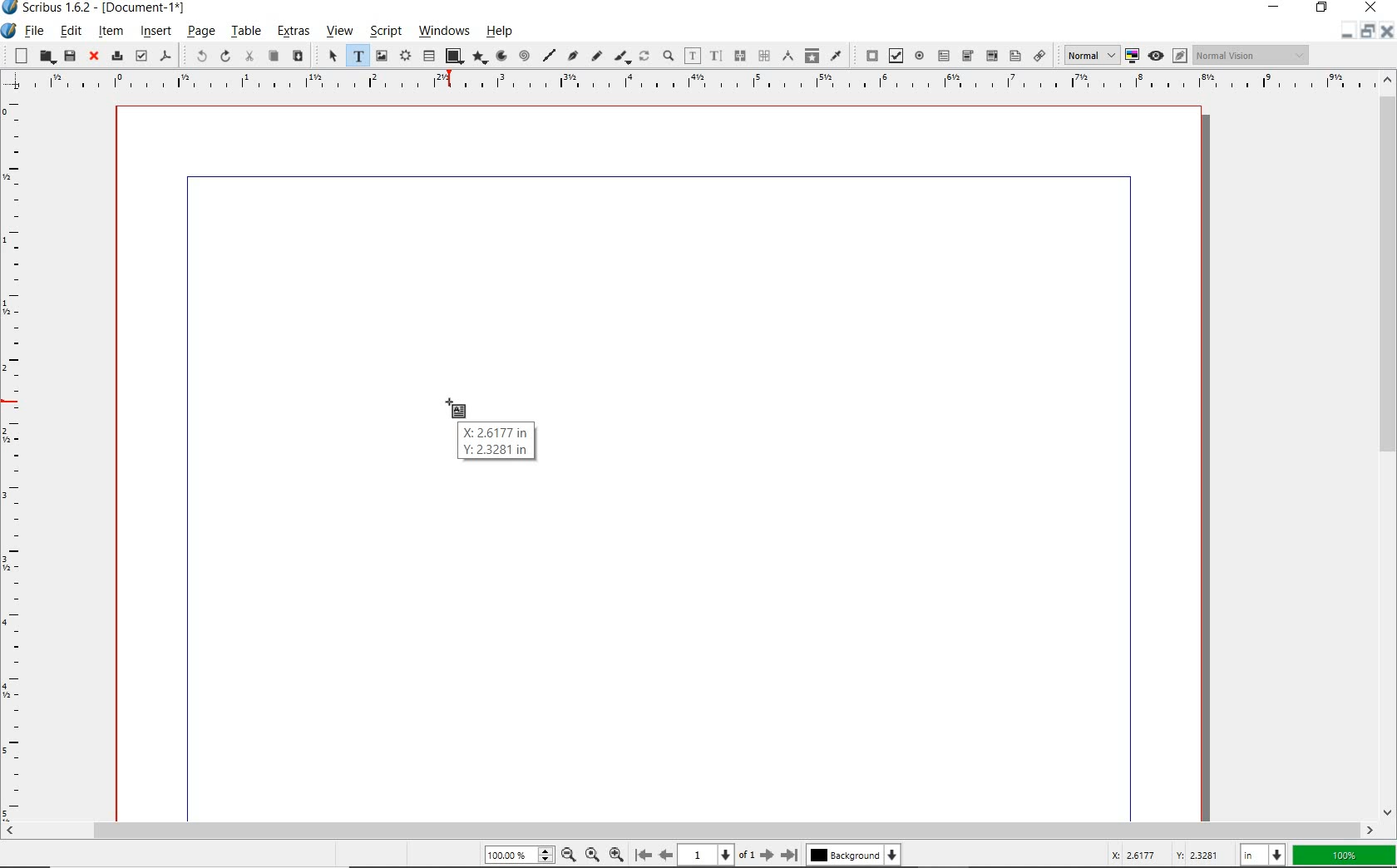 This screenshot has width=1397, height=868. Describe the element at coordinates (69, 32) in the screenshot. I see `edit` at that location.